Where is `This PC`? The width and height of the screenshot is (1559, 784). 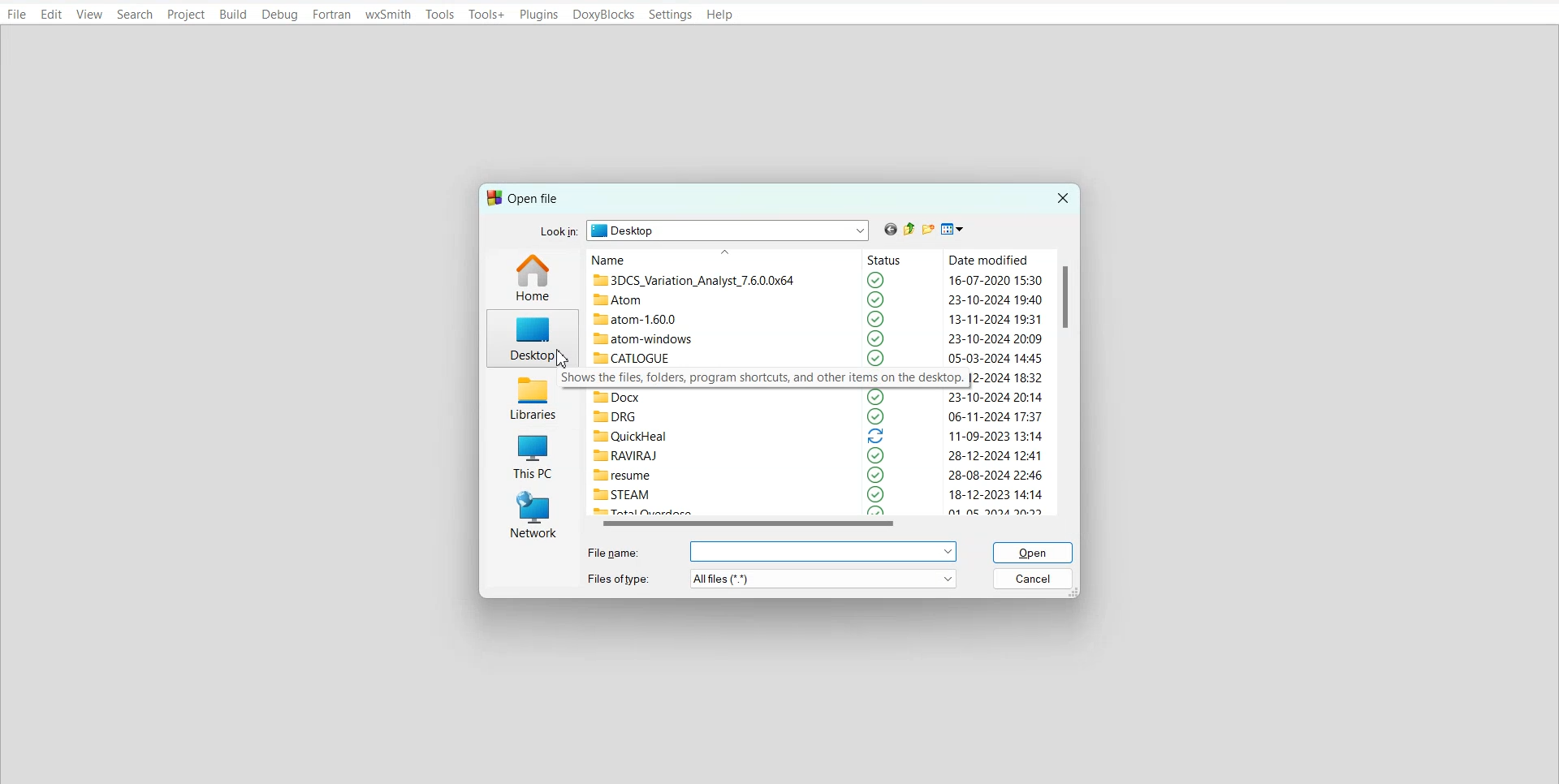 This PC is located at coordinates (529, 456).